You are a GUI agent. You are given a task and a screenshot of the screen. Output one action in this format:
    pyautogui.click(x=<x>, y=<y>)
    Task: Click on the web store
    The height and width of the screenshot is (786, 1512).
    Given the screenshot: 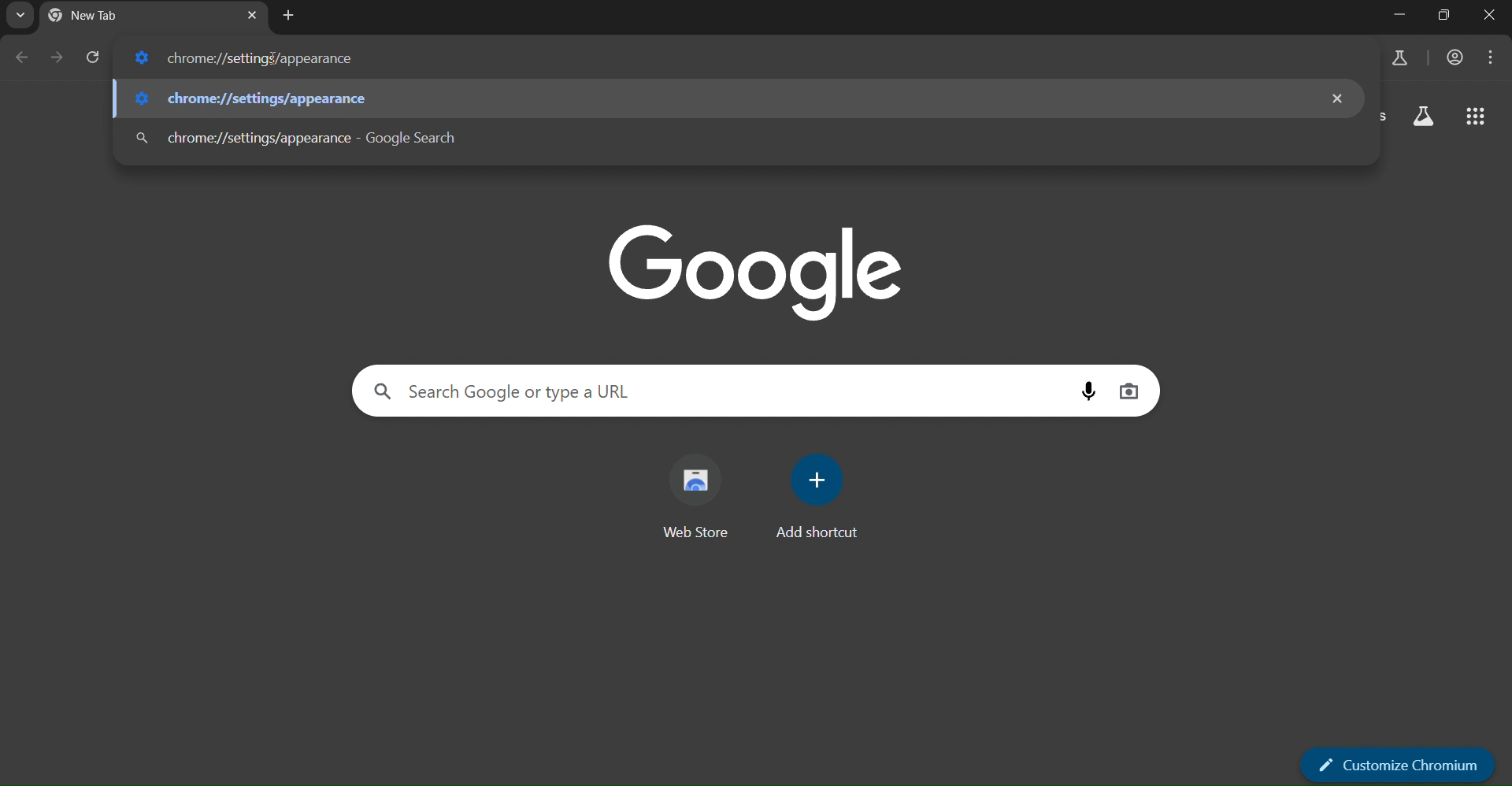 What is the action you would take?
    pyautogui.click(x=699, y=495)
    